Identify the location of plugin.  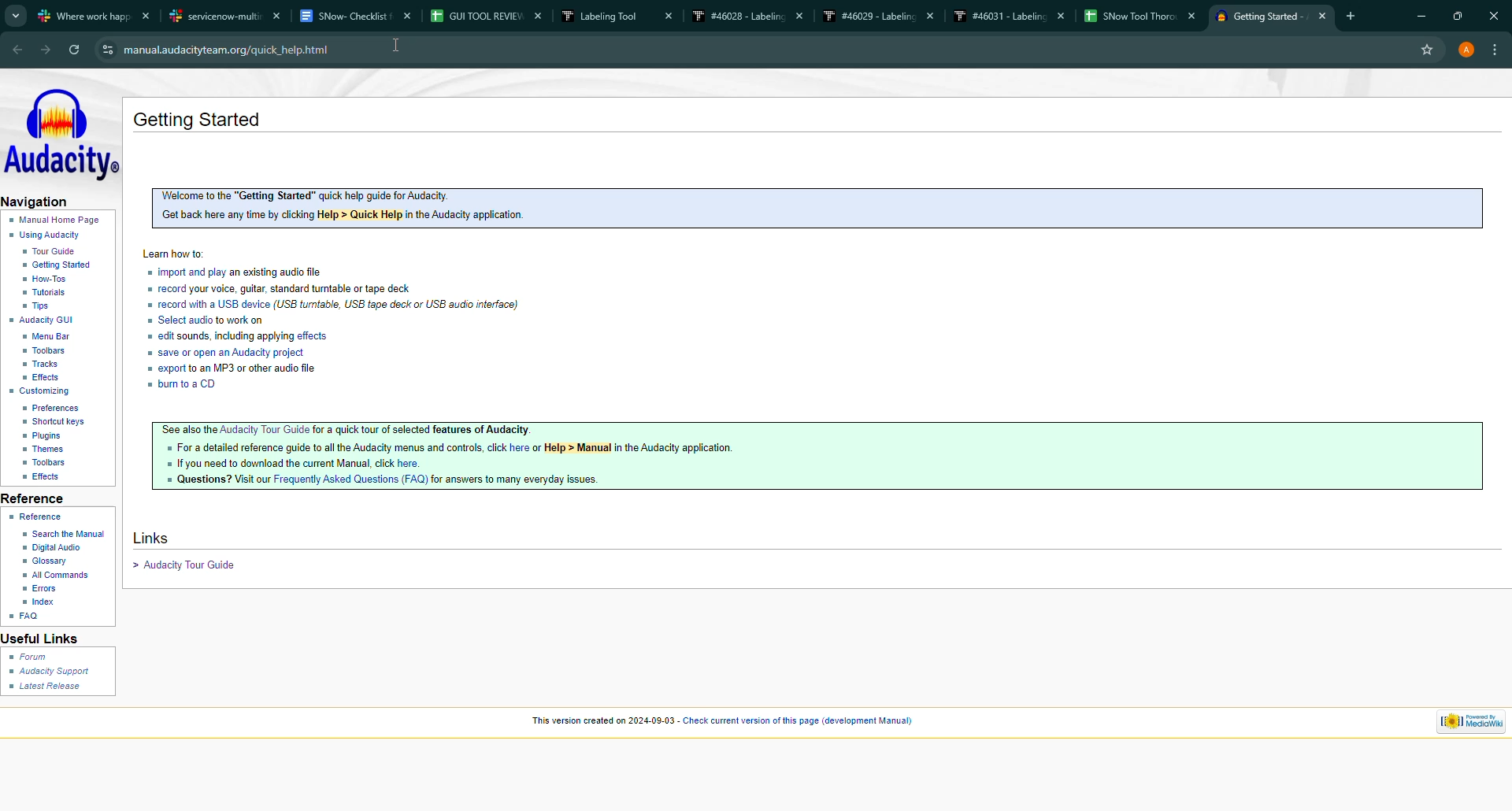
(51, 437).